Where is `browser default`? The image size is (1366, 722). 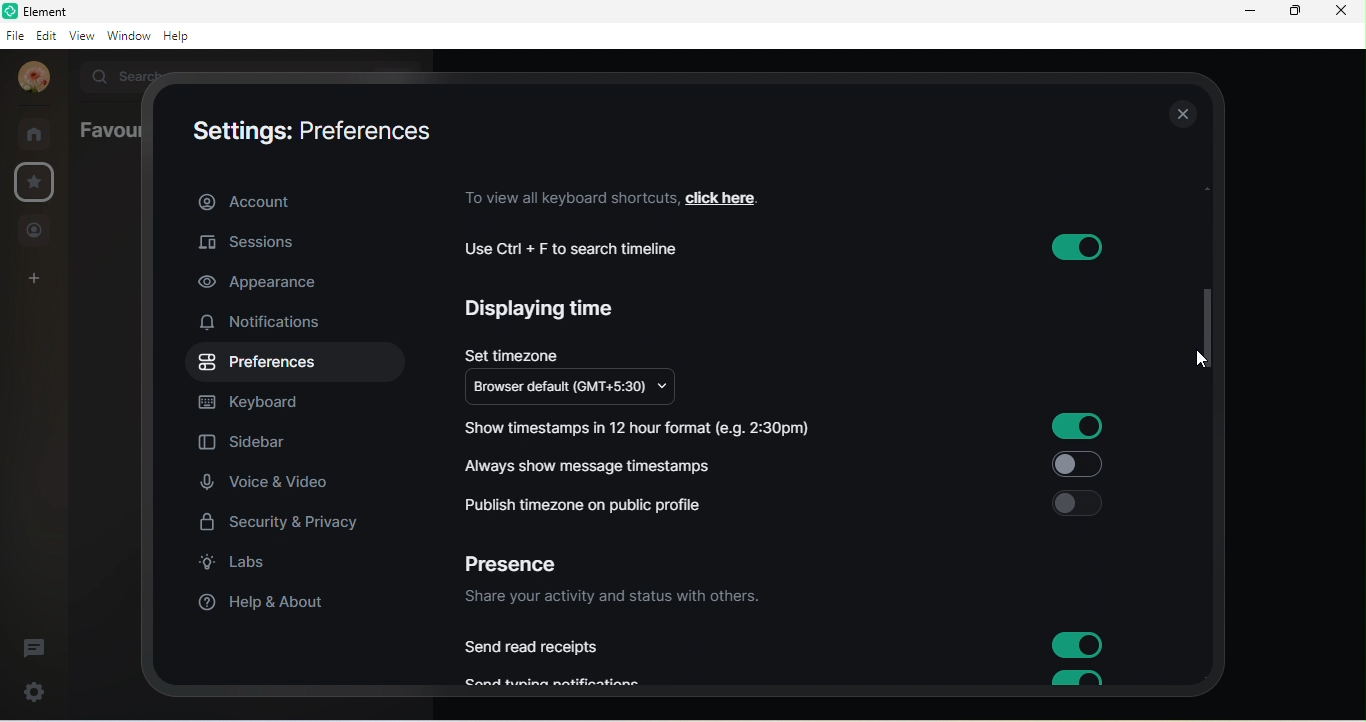
browser default is located at coordinates (582, 389).